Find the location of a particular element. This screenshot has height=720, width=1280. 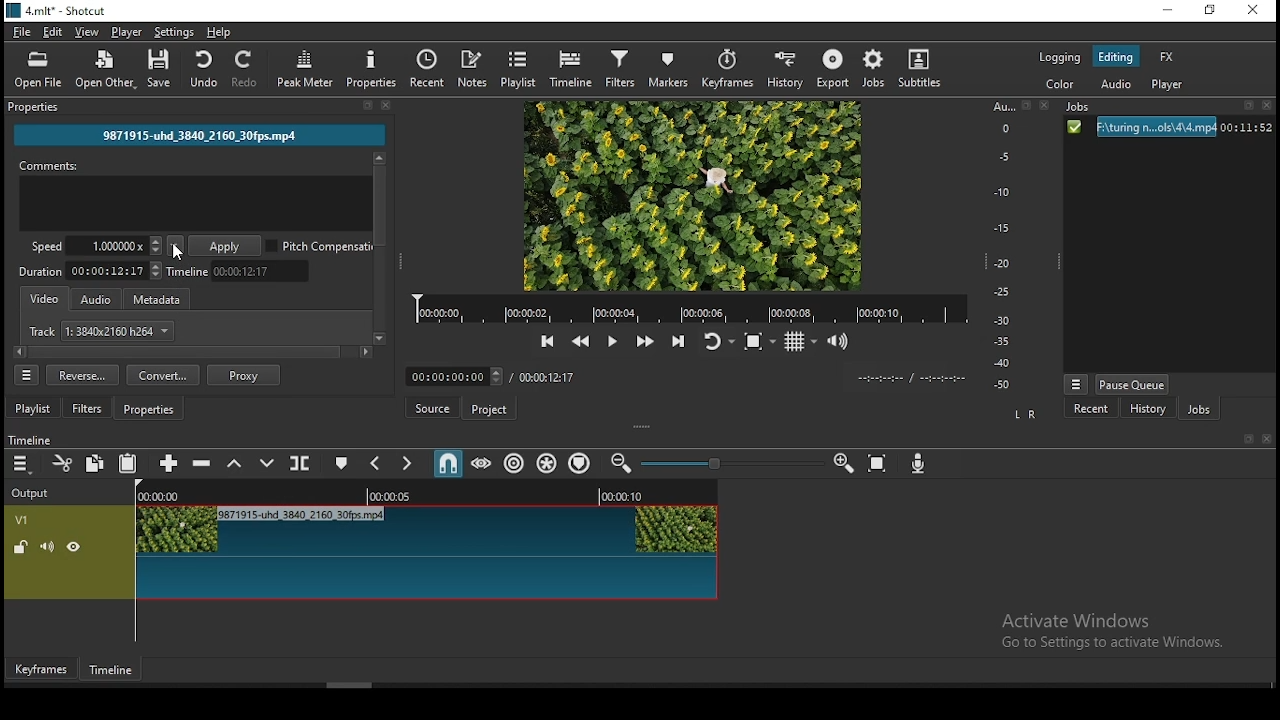

bookmark is located at coordinates (1027, 107).